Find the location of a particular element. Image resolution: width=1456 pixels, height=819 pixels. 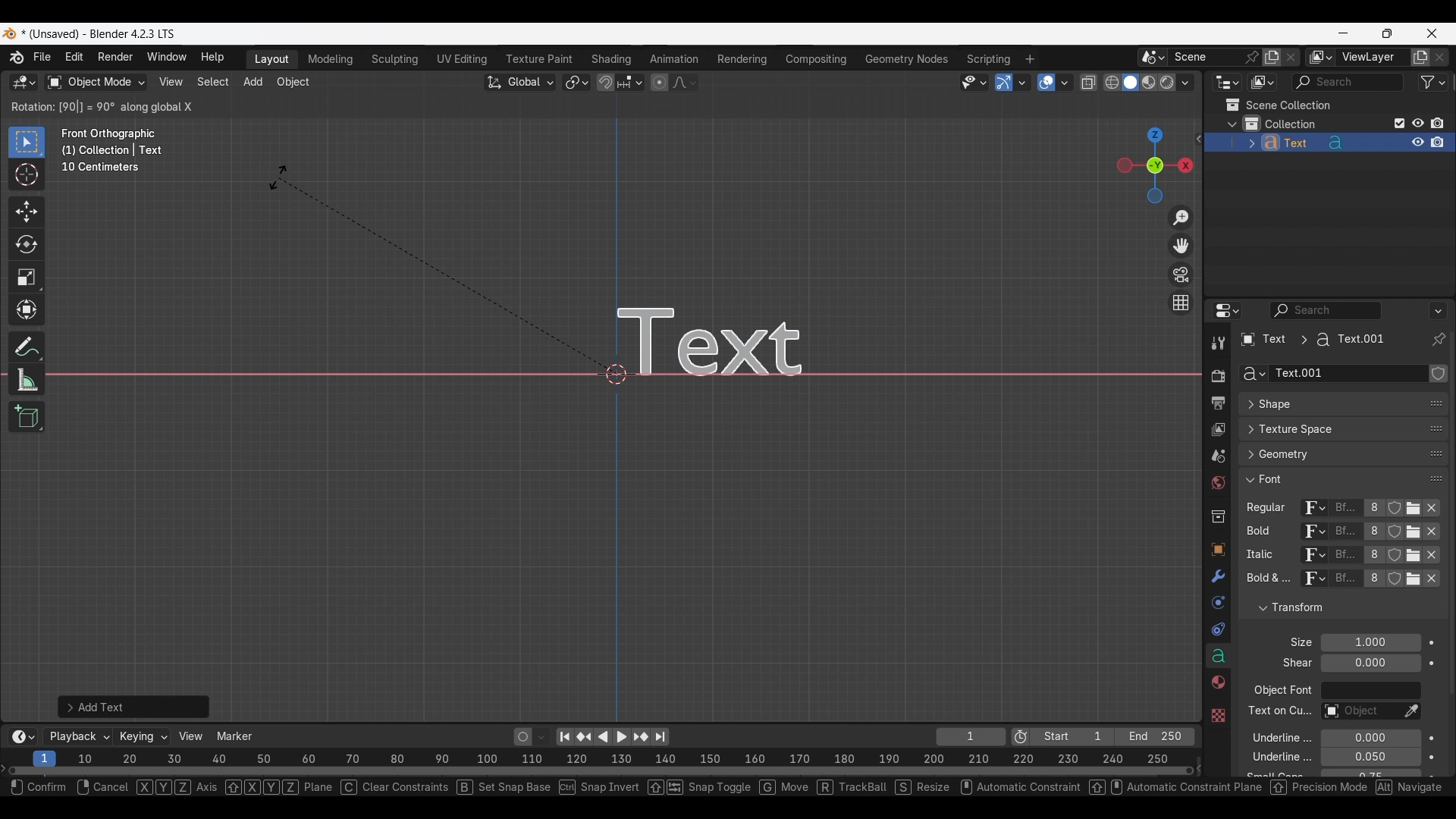

Object is located at coordinates (1217, 550).